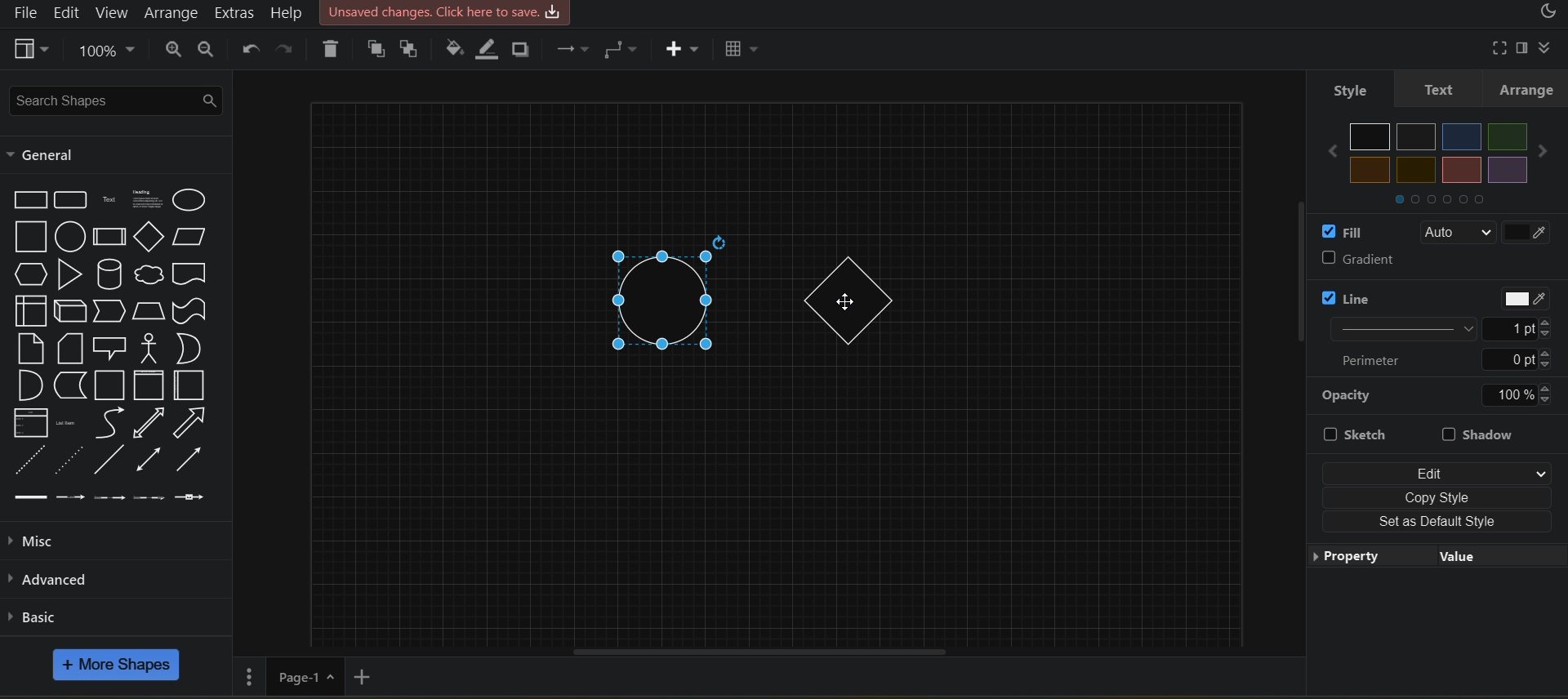  What do you see at coordinates (286, 12) in the screenshot?
I see `help` at bounding box center [286, 12].